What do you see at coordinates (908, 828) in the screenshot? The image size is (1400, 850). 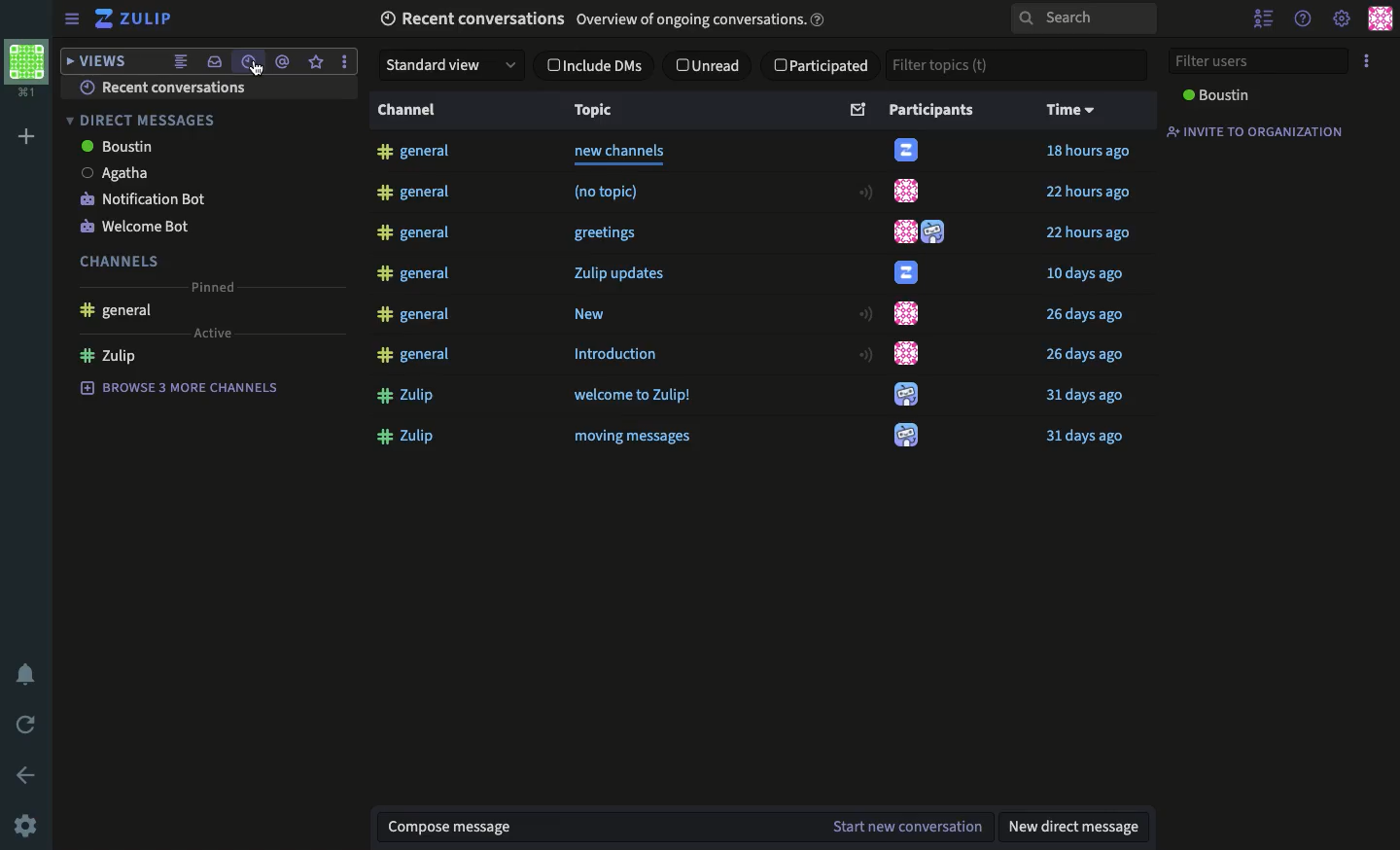 I see `start new conversation` at bounding box center [908, 828].